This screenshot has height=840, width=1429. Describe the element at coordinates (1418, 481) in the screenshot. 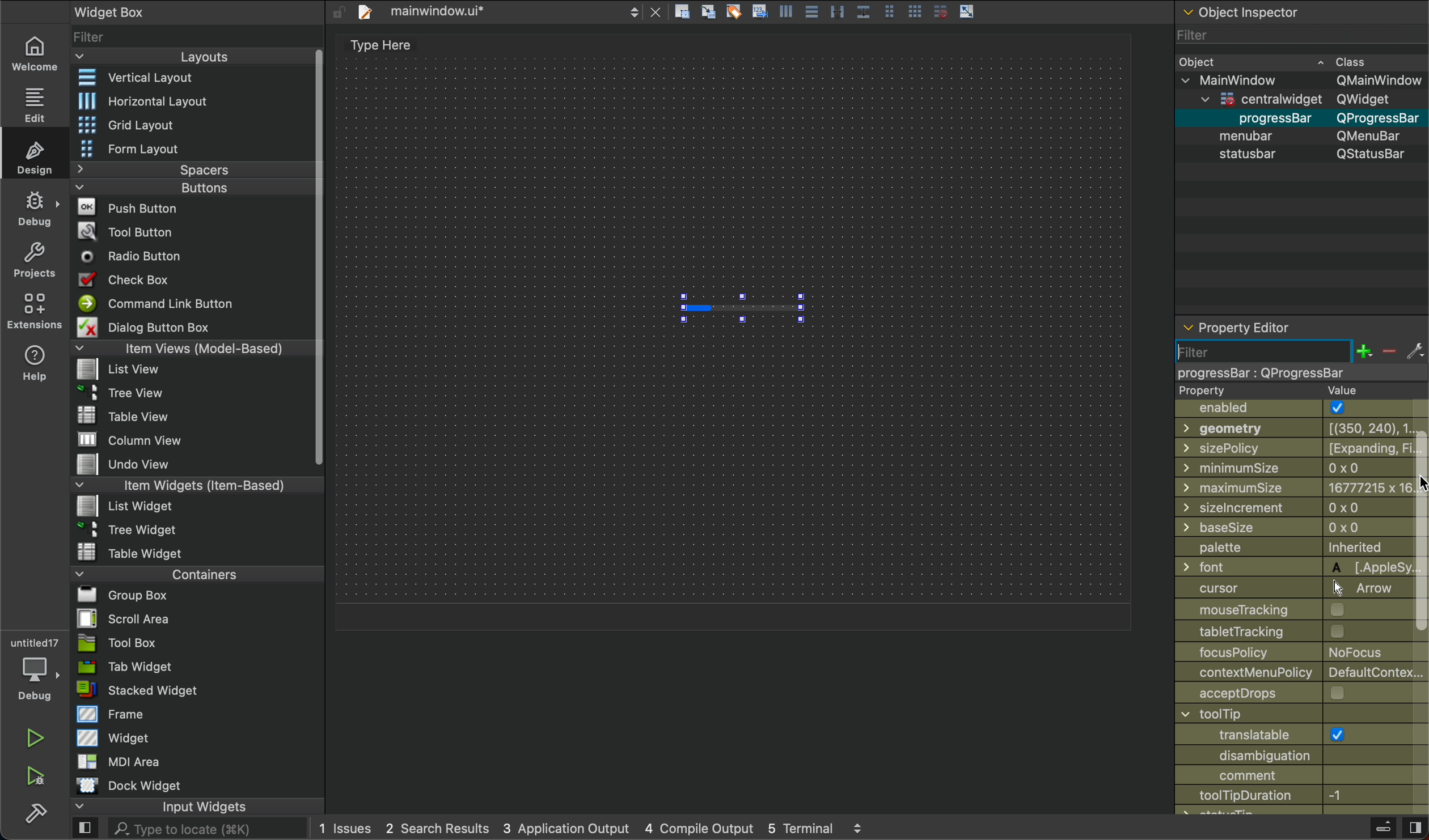

I see `cursor` at that location.